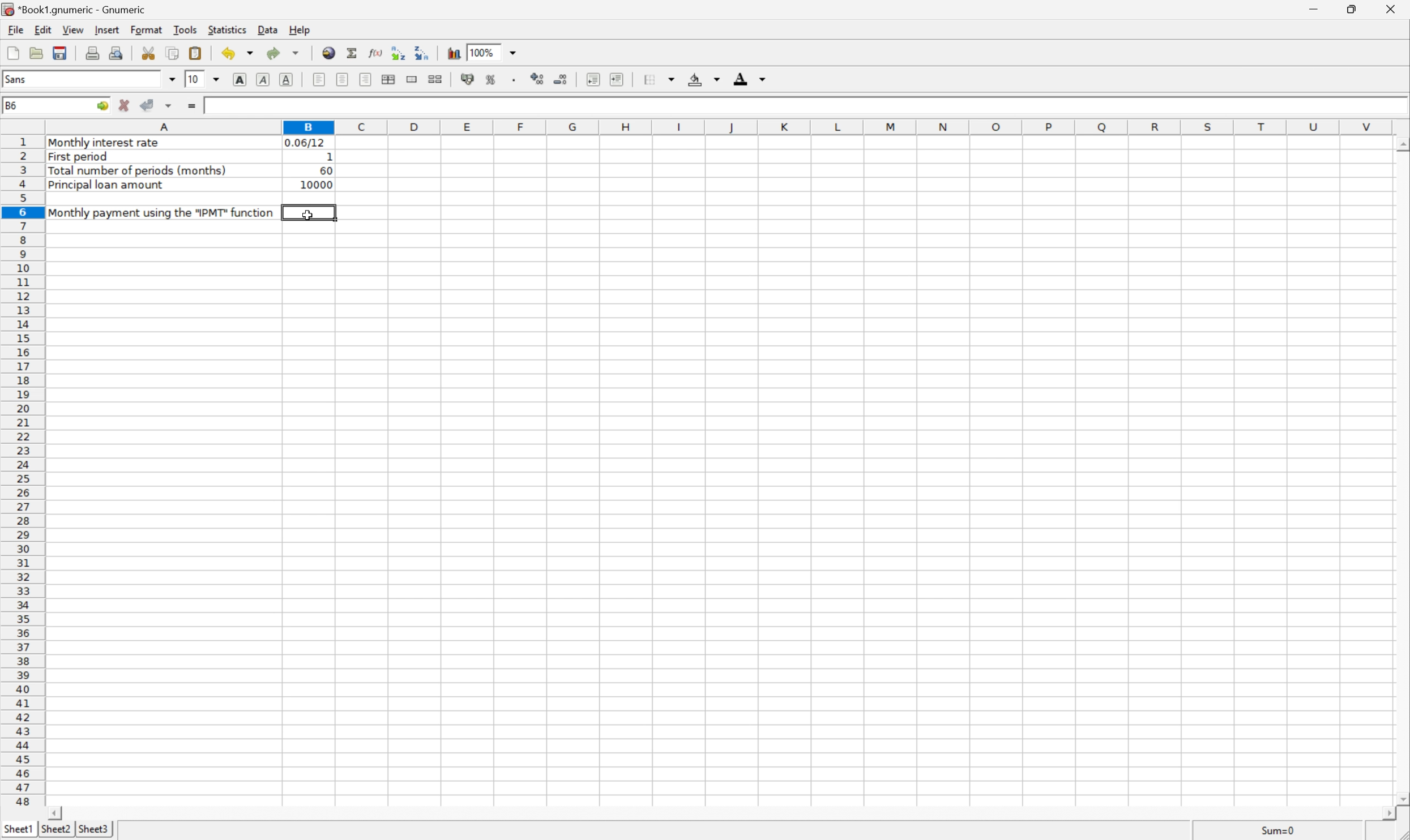 This screenshot has width=1410, height=840. I want to click on Row Numbers, so click(23, 474).